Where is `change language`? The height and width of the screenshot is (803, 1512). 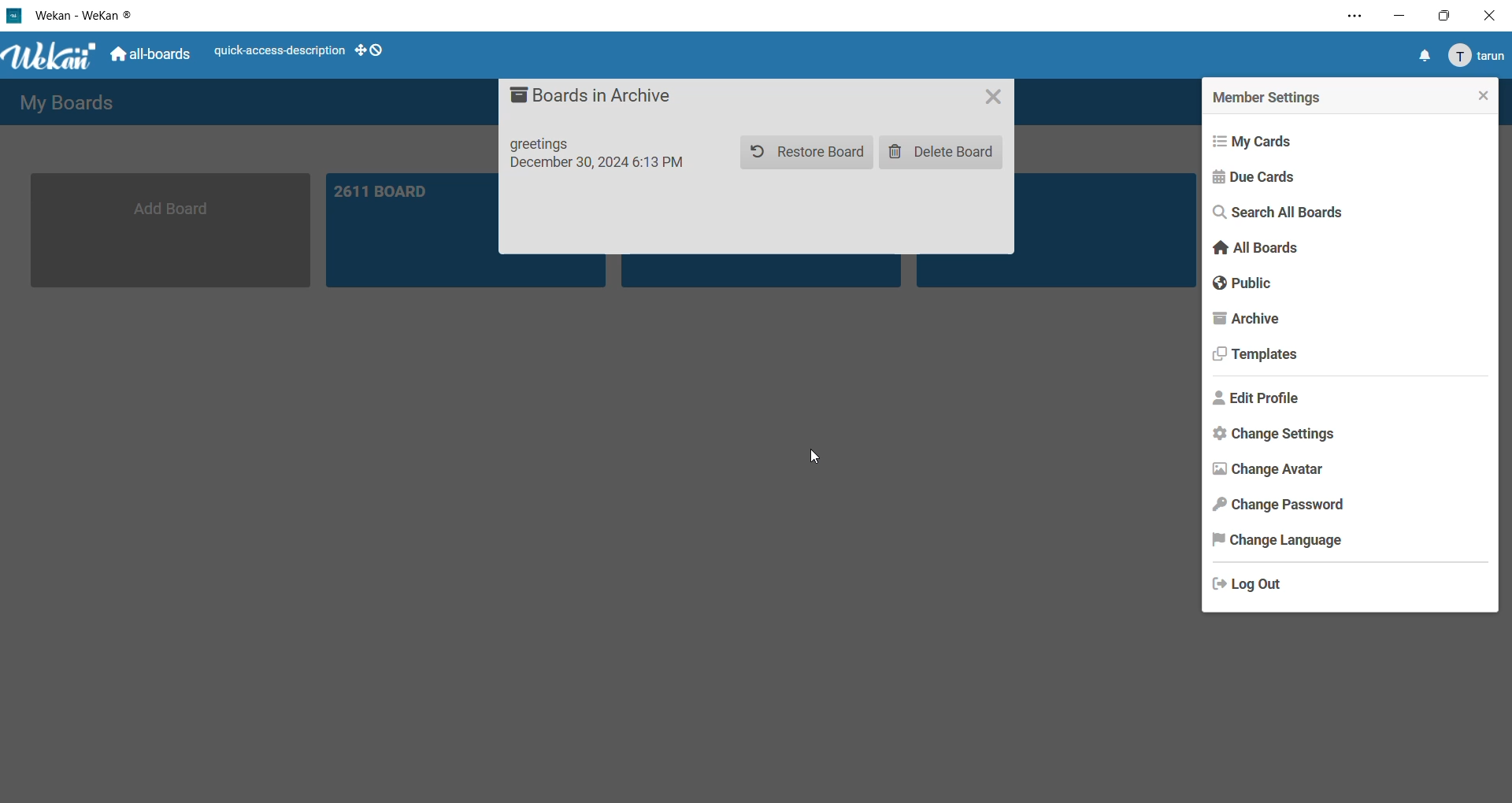
change language is located at coordinates (1284, 540).